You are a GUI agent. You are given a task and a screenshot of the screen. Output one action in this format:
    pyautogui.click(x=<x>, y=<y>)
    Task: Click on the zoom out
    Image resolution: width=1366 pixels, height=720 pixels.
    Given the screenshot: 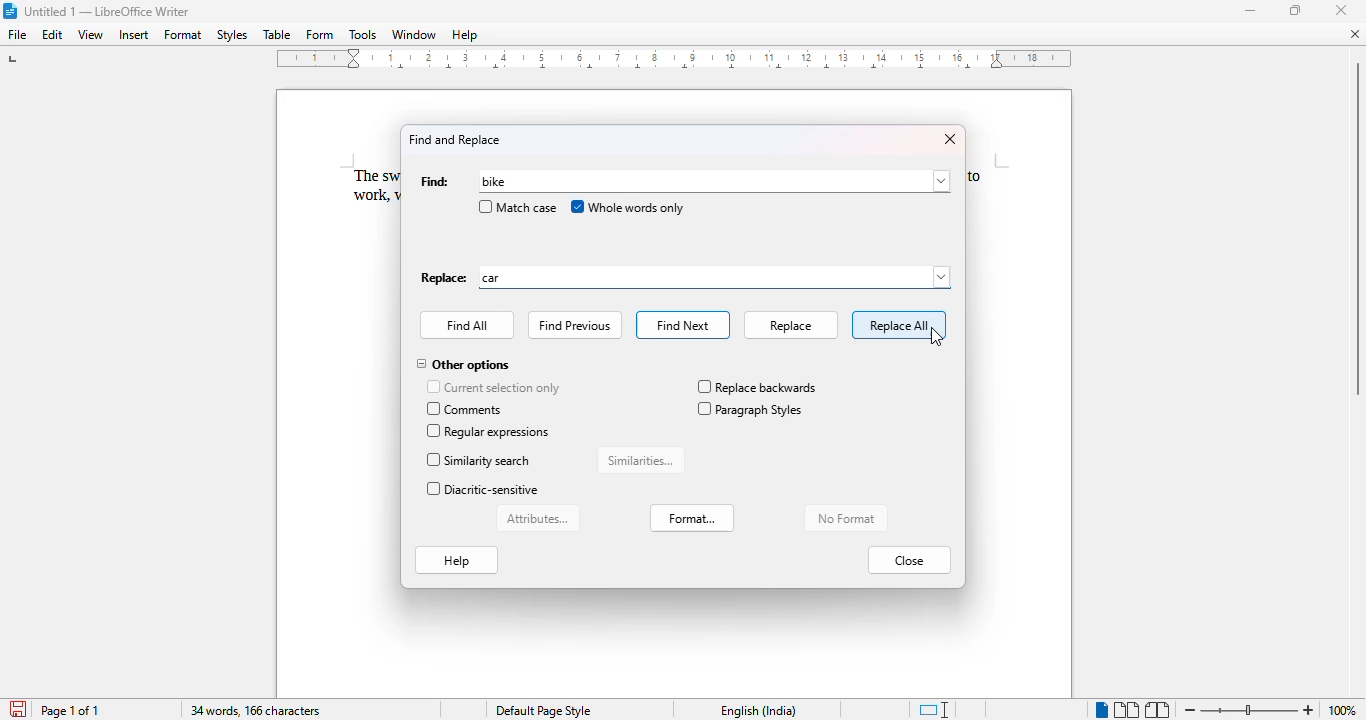 What is the action you would take?
    pyautogui.click(x=1188, y=708)
    